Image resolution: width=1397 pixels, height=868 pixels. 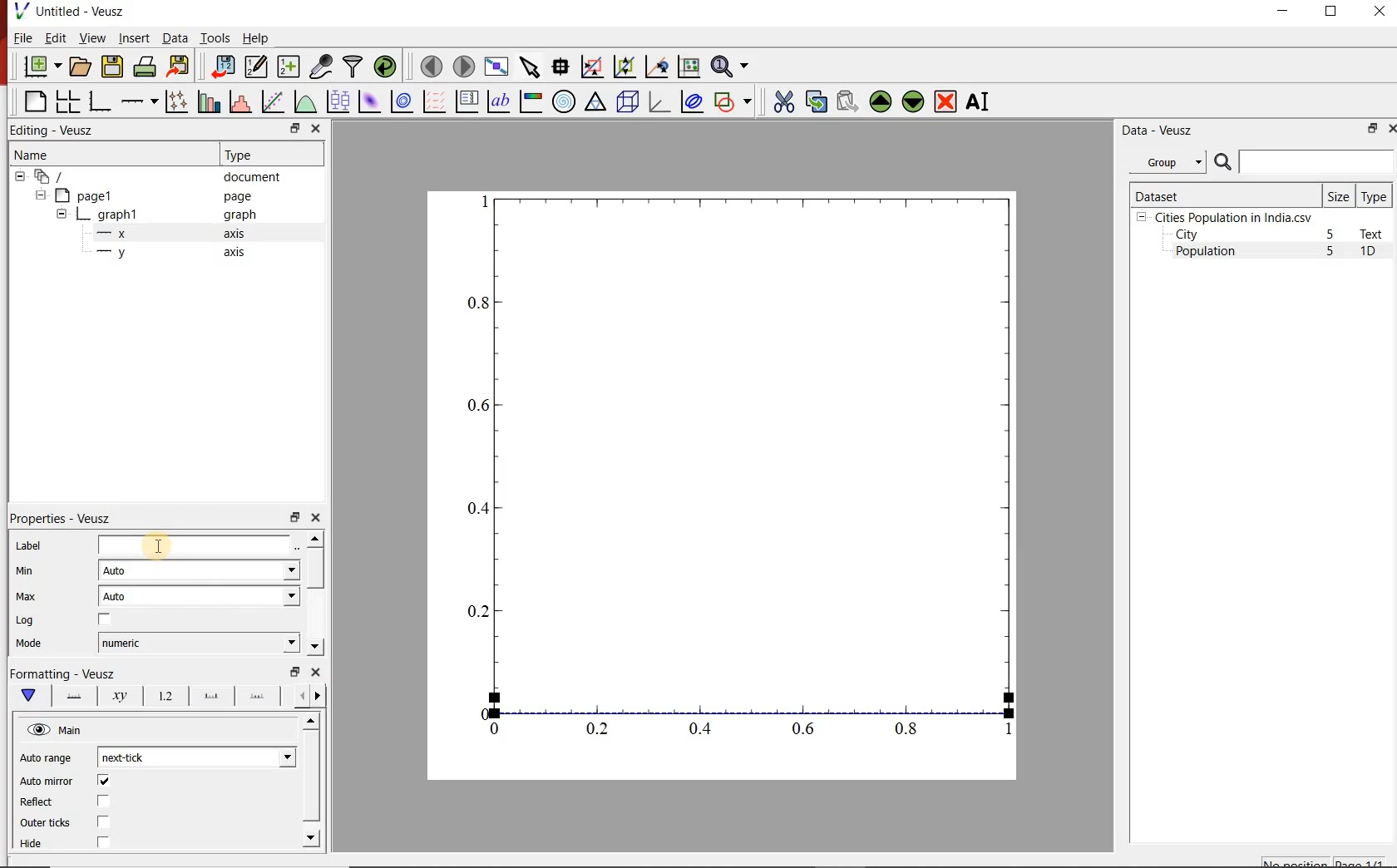 I want to click on close, so click(x=313, y=672).